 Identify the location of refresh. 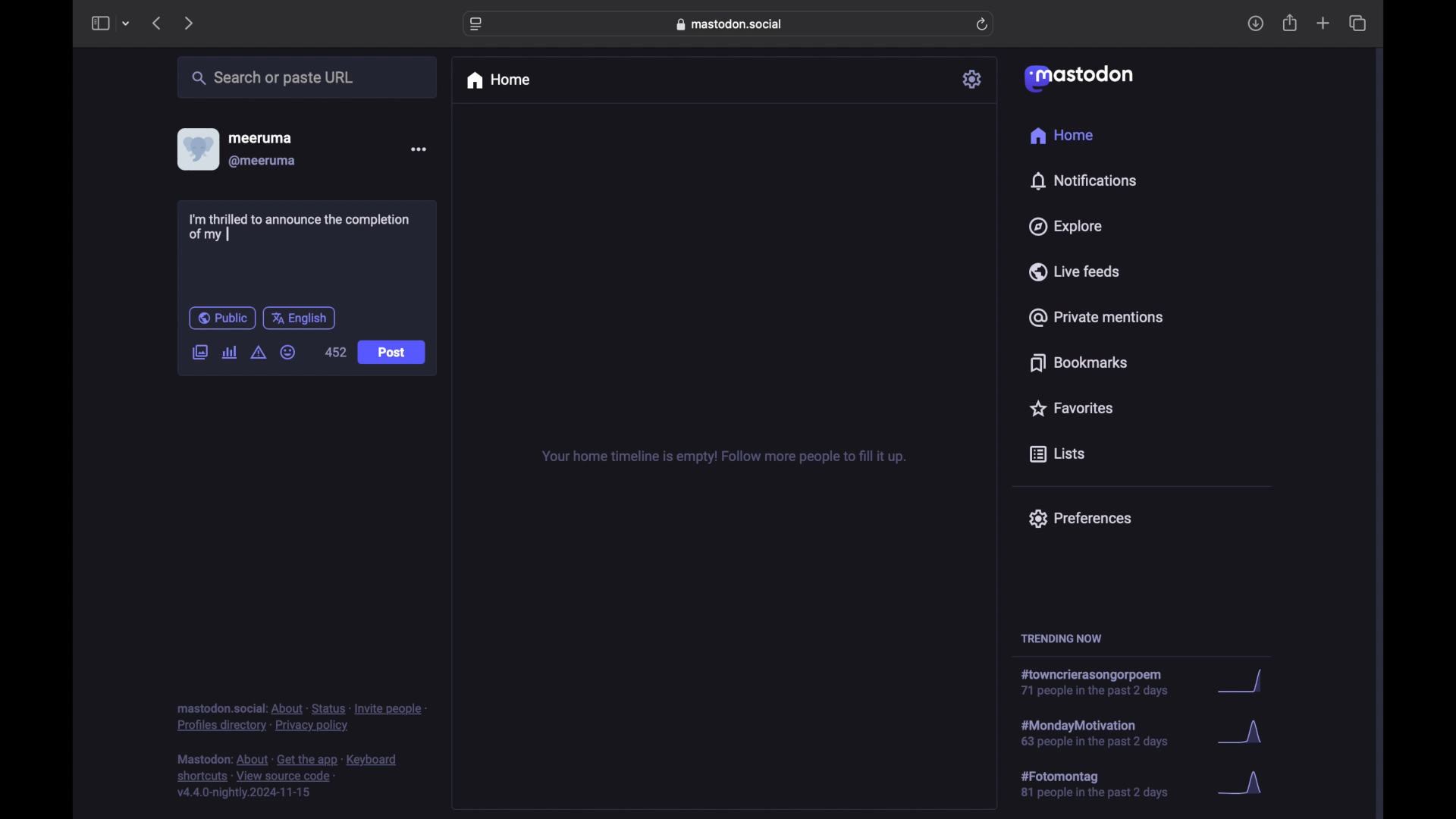
(982, 24).